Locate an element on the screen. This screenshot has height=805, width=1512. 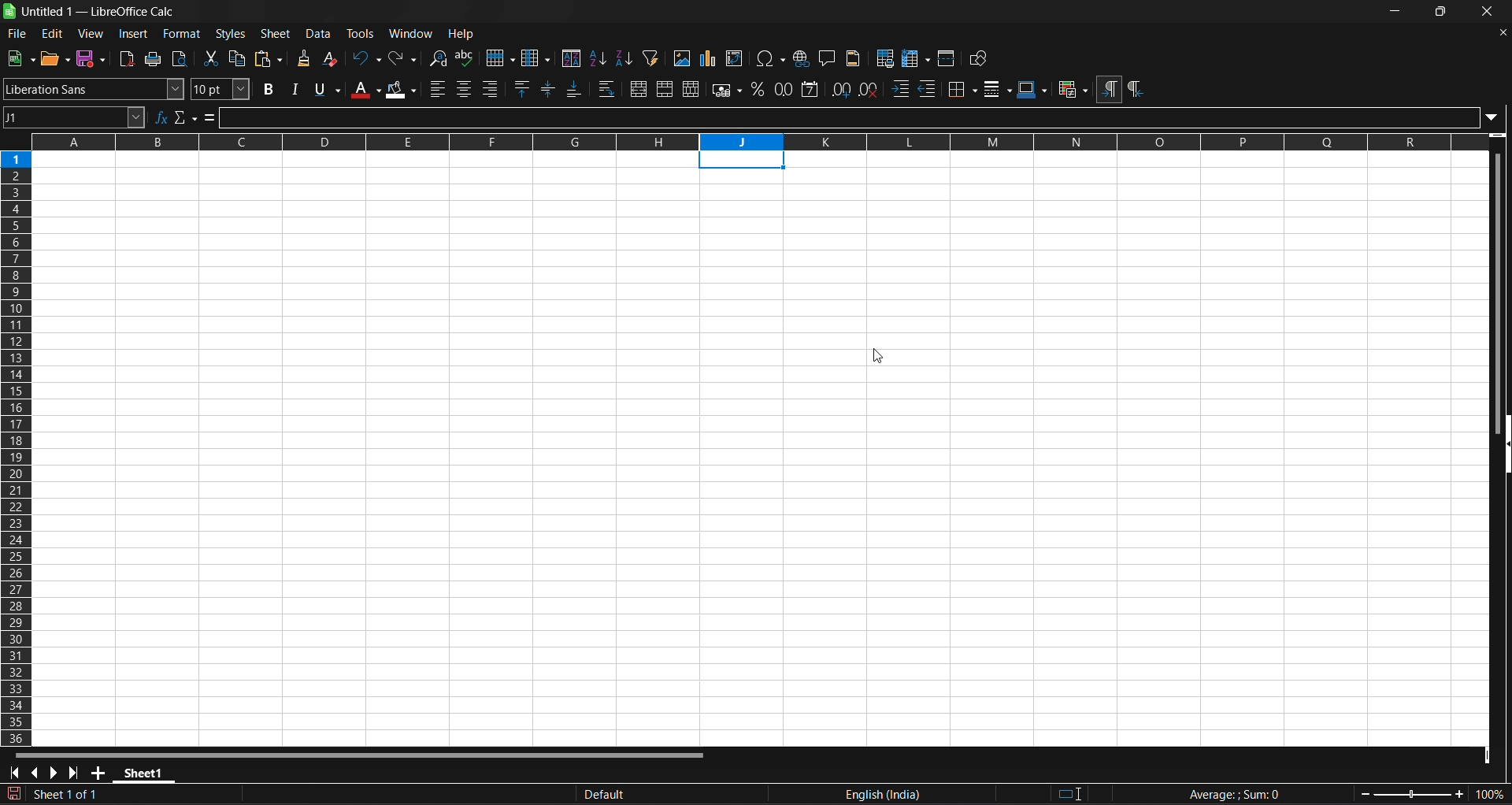
 is located at coordinates (365, 91).